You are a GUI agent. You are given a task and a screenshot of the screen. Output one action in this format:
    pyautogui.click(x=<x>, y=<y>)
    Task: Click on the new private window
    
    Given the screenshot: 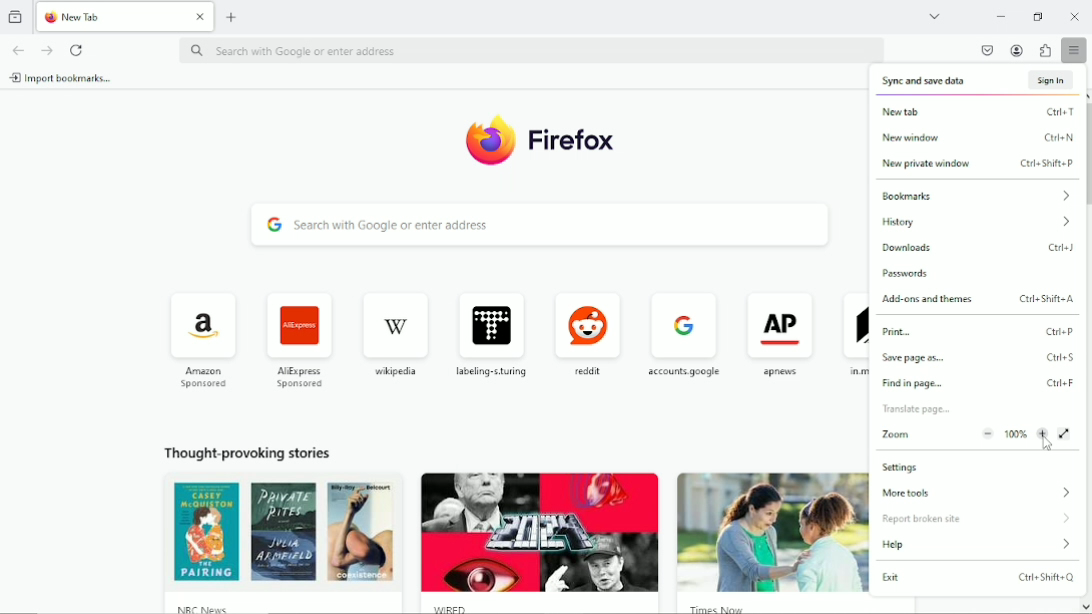 What is the action you would take?
    pyautogui.click(x=973, y=165)
    